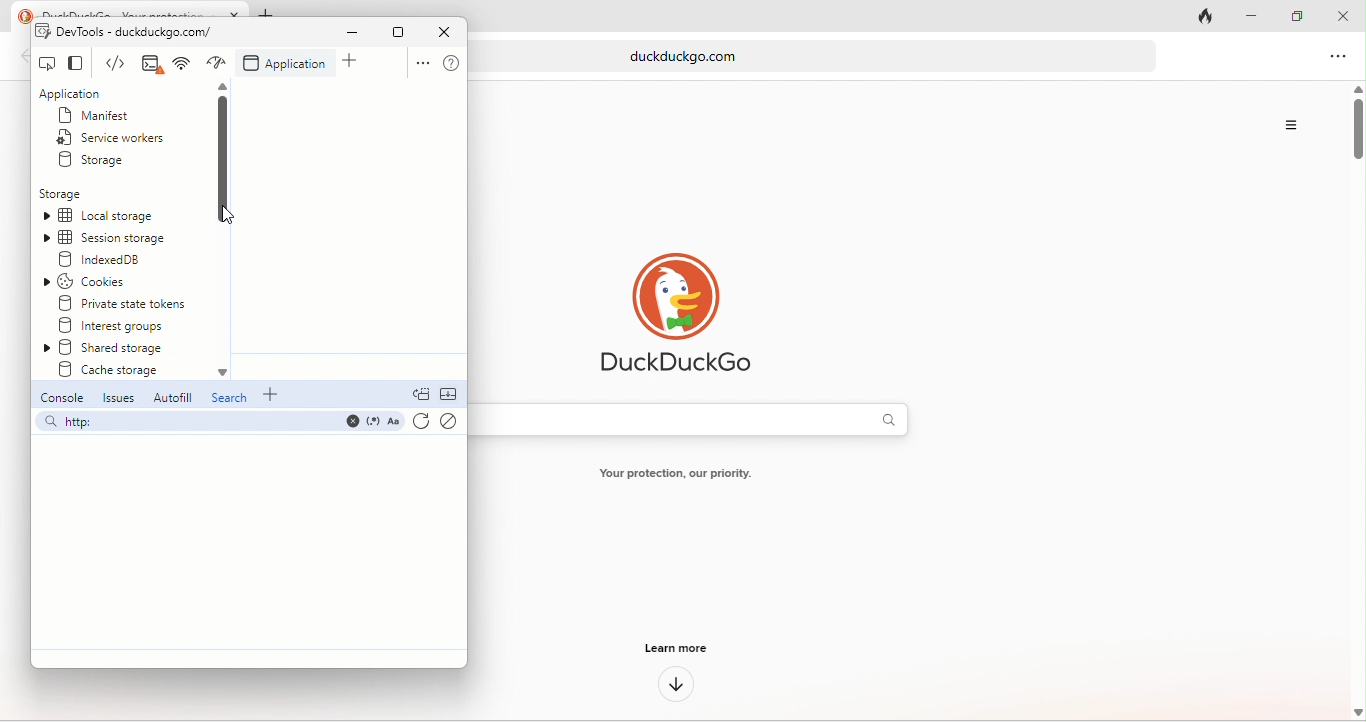 The image size is (1366, 722). Describe the element at coordinates (822, 55) in the screenshot. I see `web link` at that location.